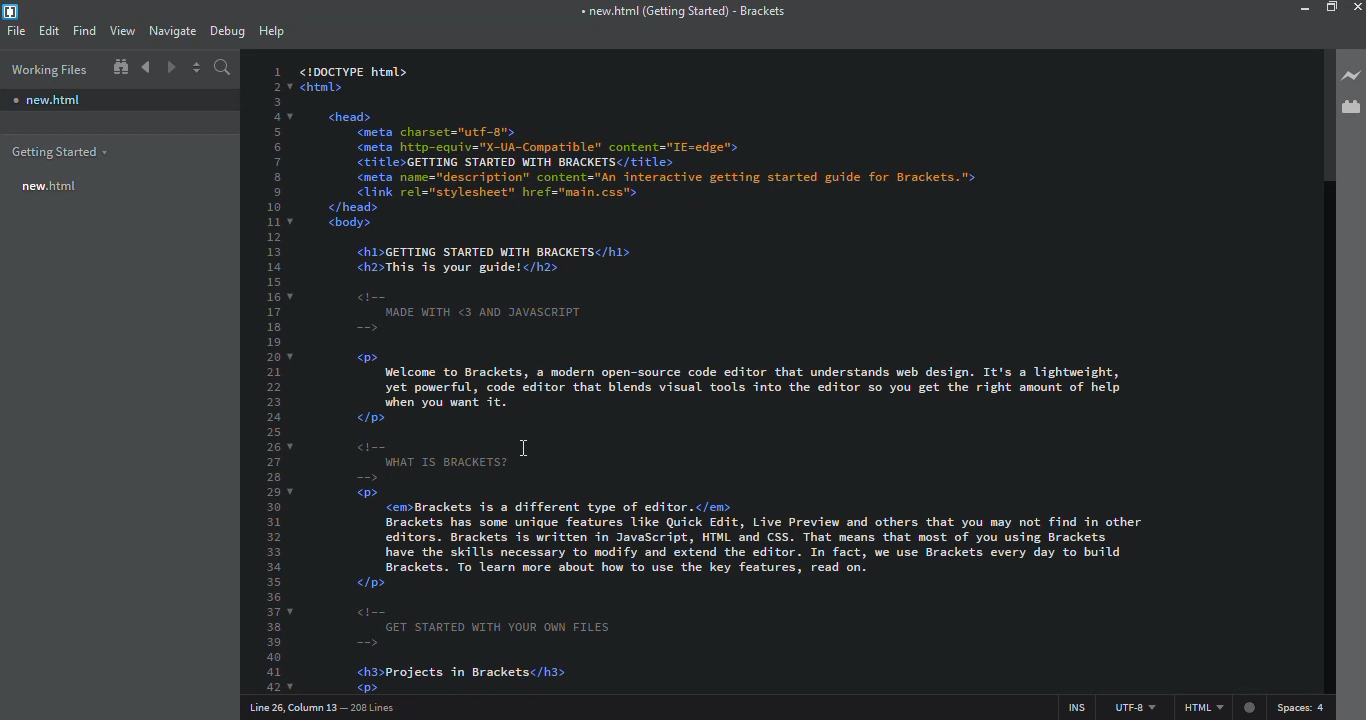 The width and height of the screenshot is (1366, 720). I want to click on edit, so click(49, 31).